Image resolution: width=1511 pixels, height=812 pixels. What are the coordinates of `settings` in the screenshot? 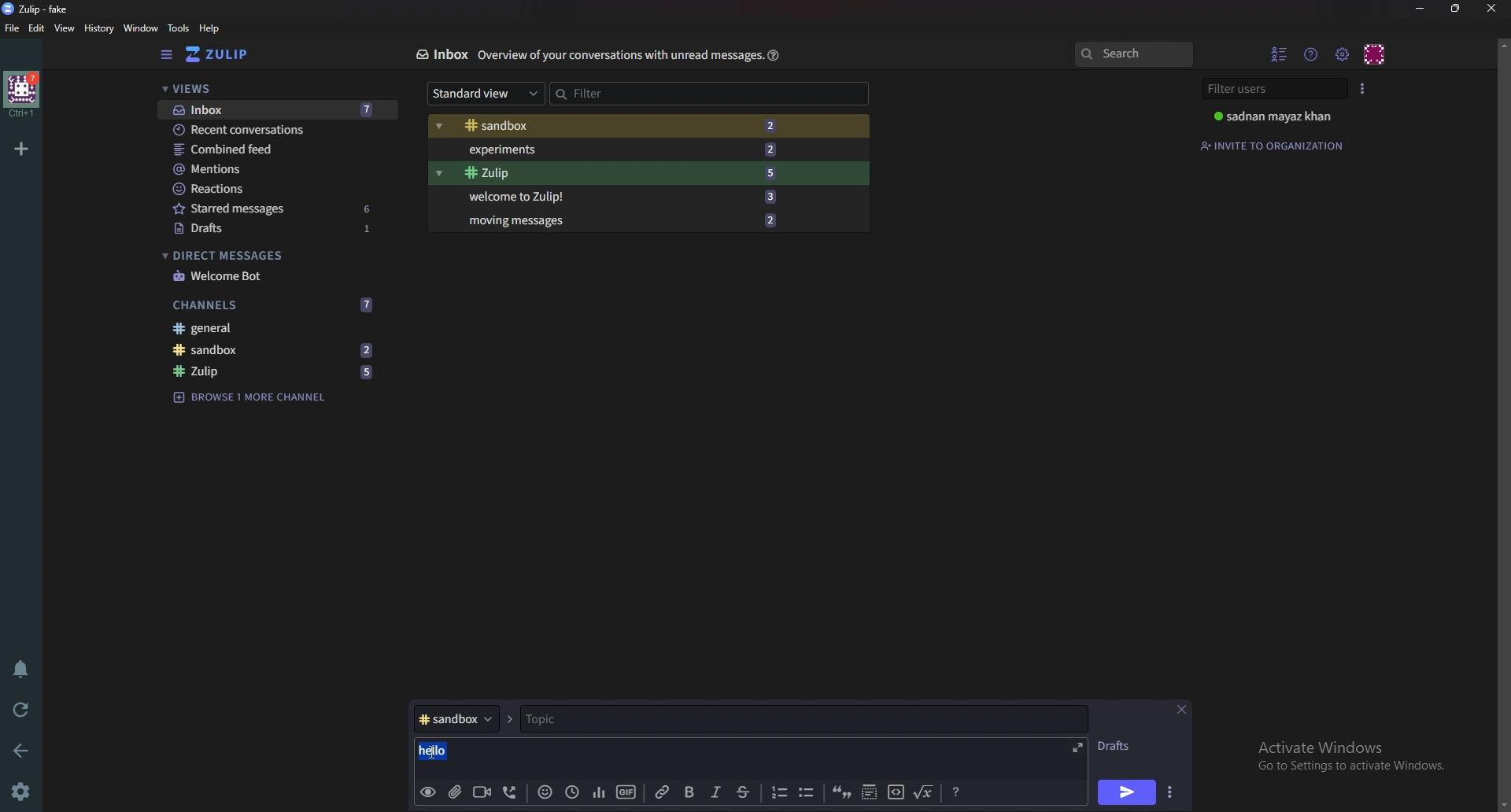 It's located at (23, 792).